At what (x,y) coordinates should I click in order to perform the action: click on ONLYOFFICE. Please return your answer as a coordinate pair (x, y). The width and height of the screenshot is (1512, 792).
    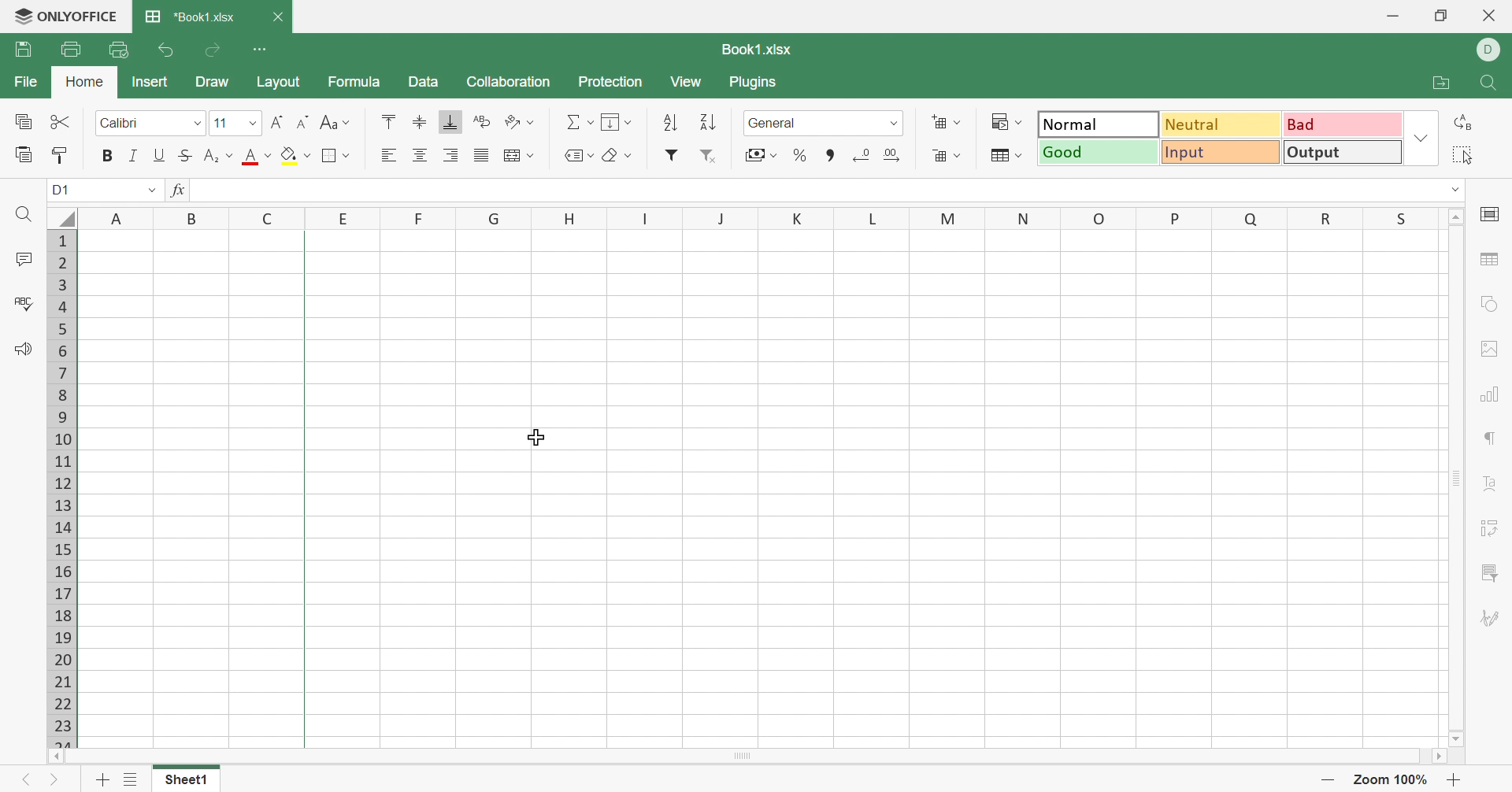
    Looking at the image, I should click on (65, 17).